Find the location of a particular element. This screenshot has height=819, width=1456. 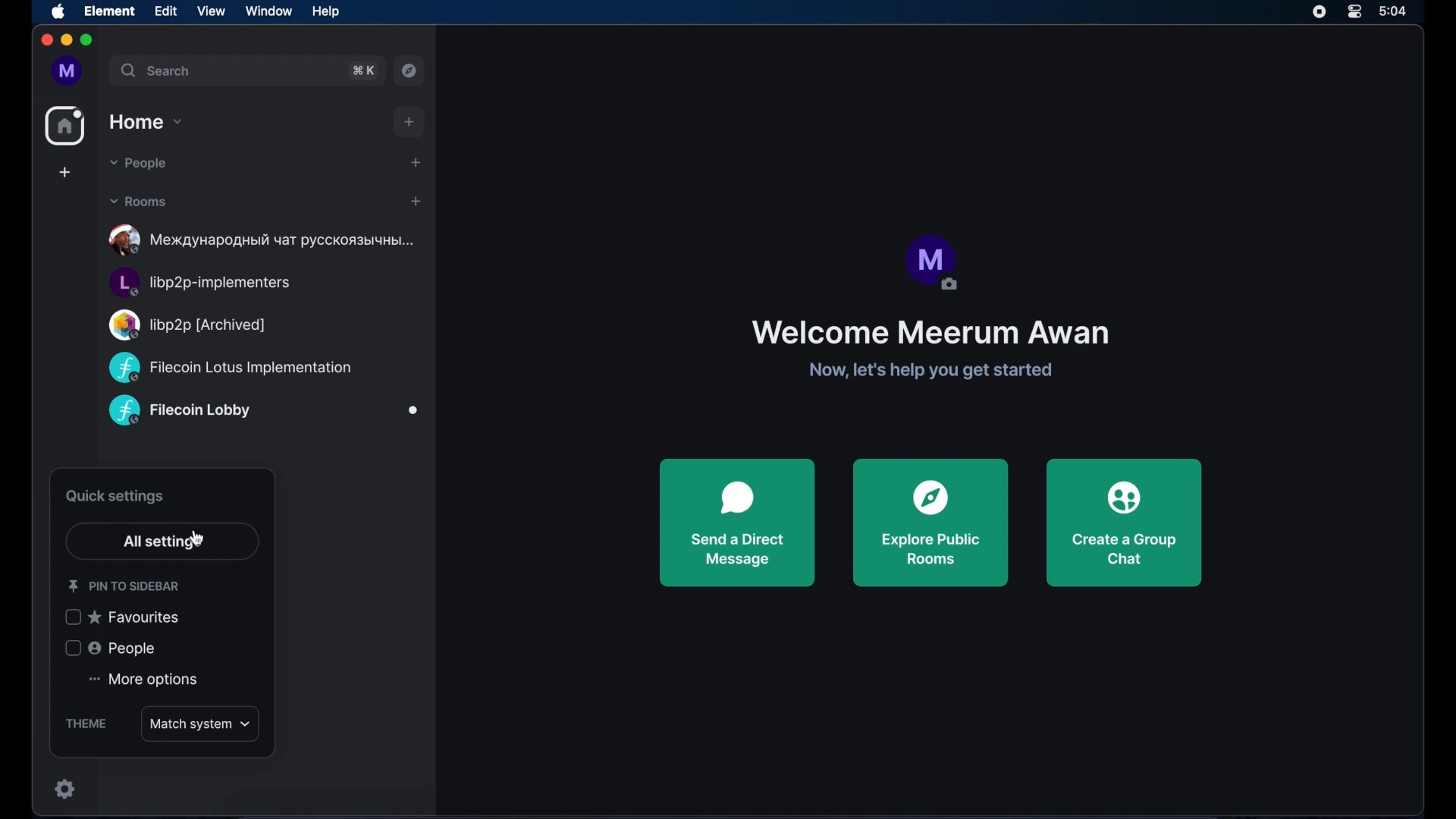

Filecoin Lobby is located at coordinates (180, 412).